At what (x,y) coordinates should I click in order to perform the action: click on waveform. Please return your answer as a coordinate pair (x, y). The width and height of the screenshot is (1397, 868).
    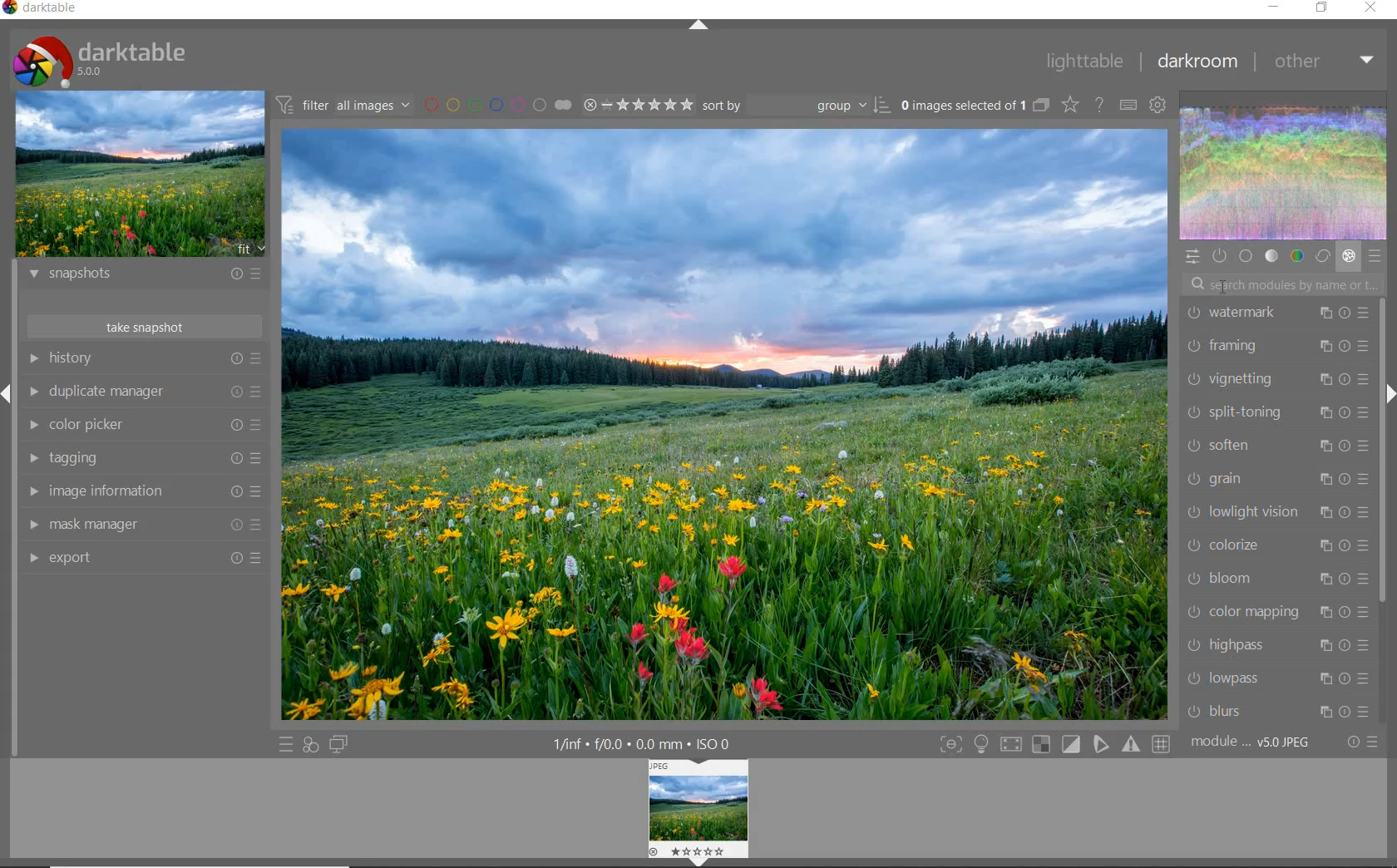
    Looking at the image, I should click on (1284, 172).